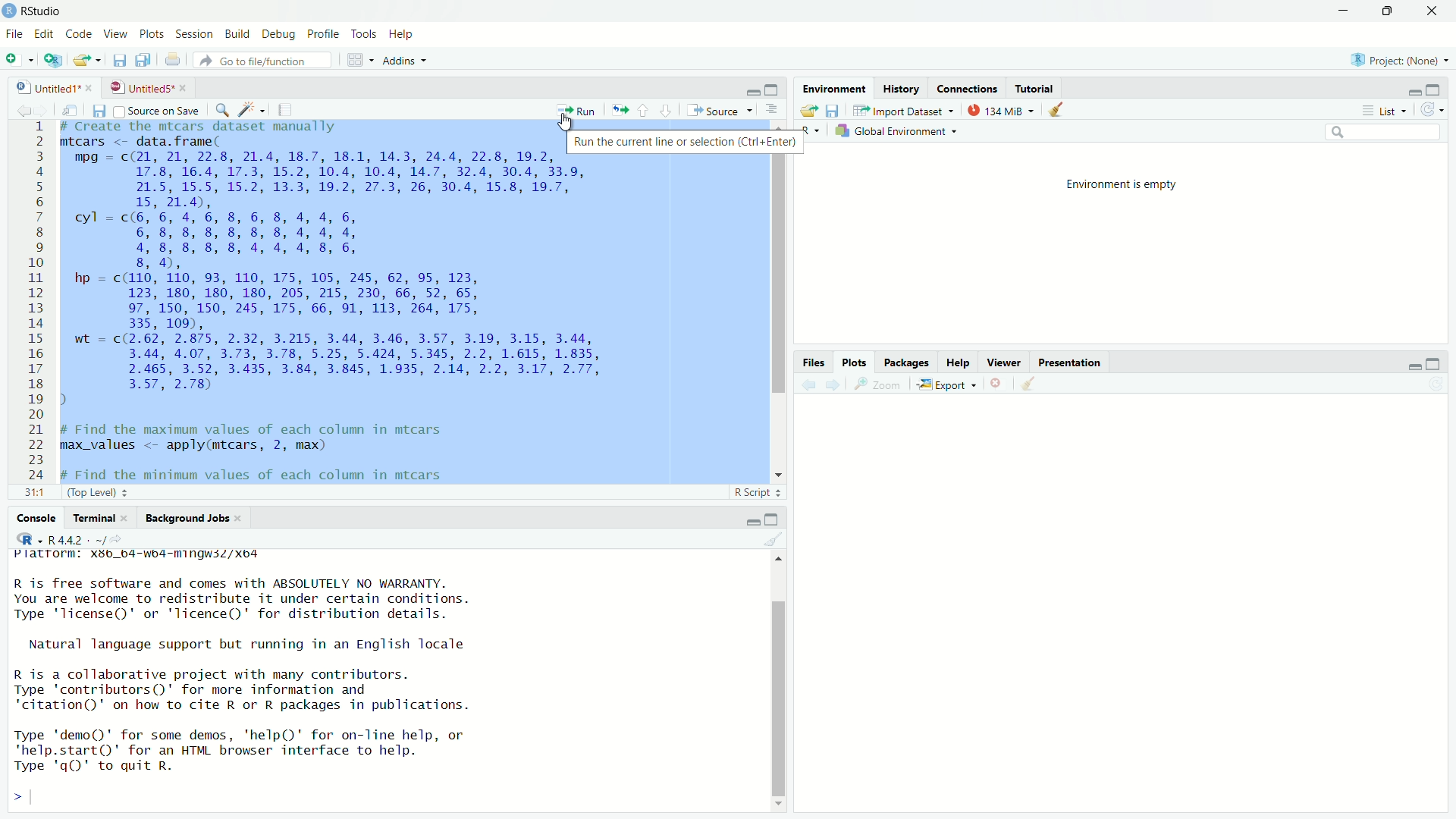 This screenshot has height=819, width=1456. Describe the element at coordinates (809, 382) in the screenshot. I see `back` at that location.